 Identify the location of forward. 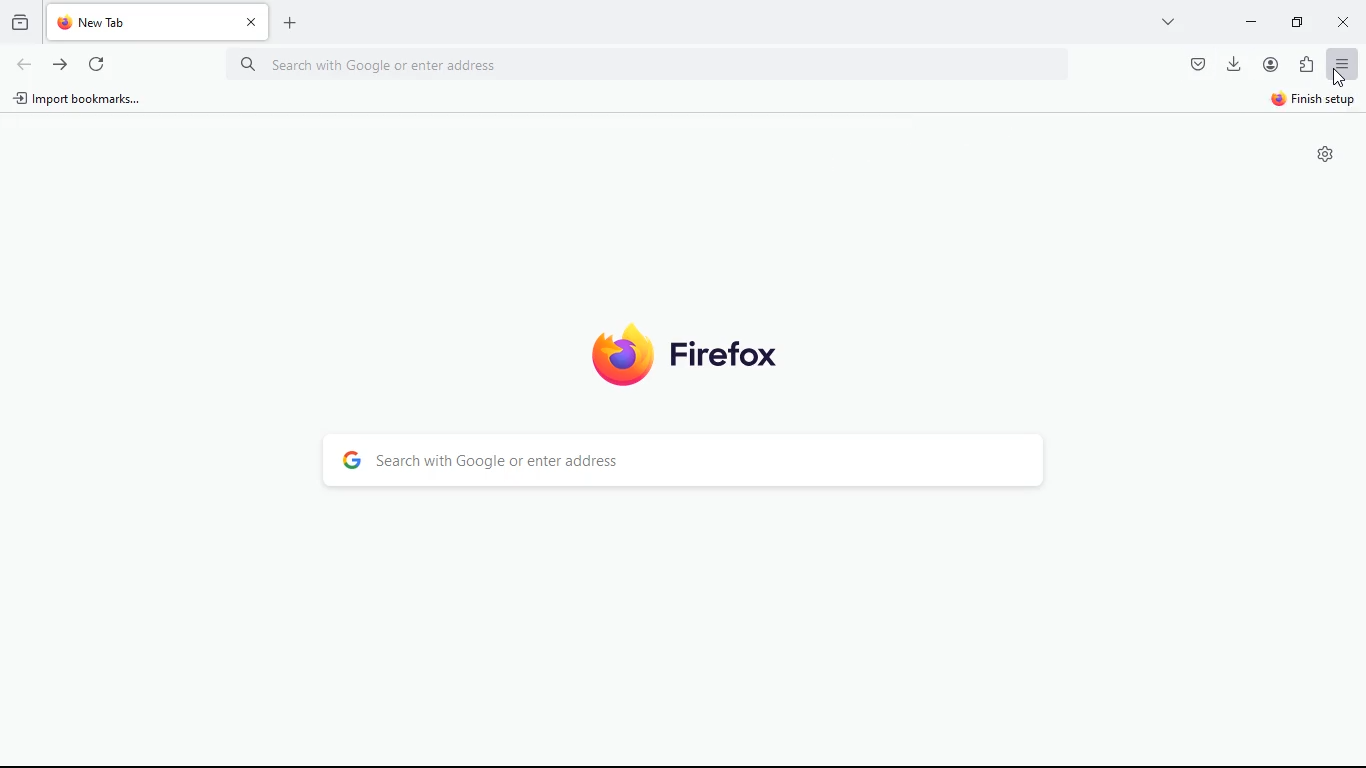
(60, 63).